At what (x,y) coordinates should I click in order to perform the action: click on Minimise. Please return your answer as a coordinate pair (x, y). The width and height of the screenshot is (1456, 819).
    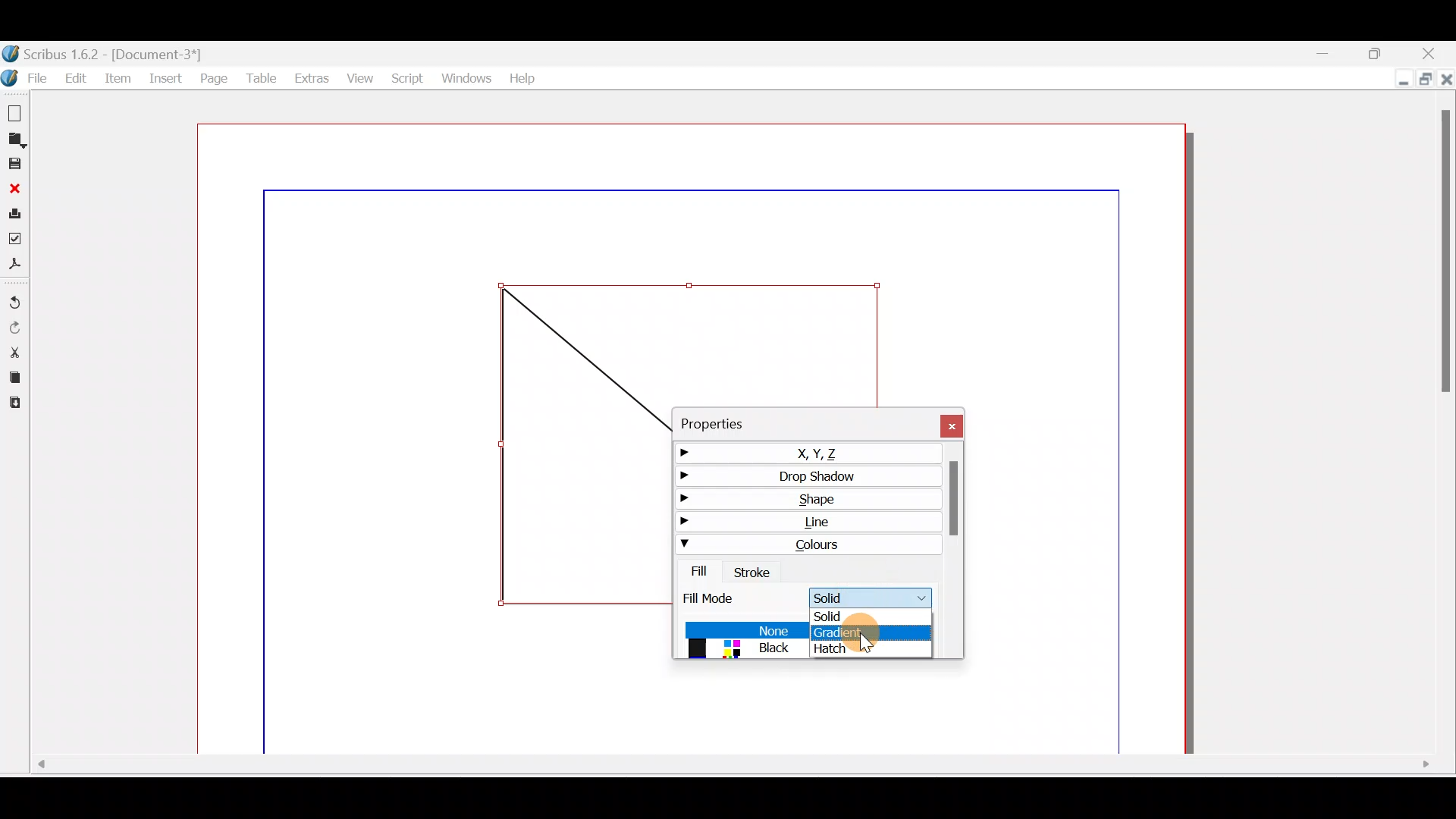
    Looking at the image, I should click on (1323, 52).